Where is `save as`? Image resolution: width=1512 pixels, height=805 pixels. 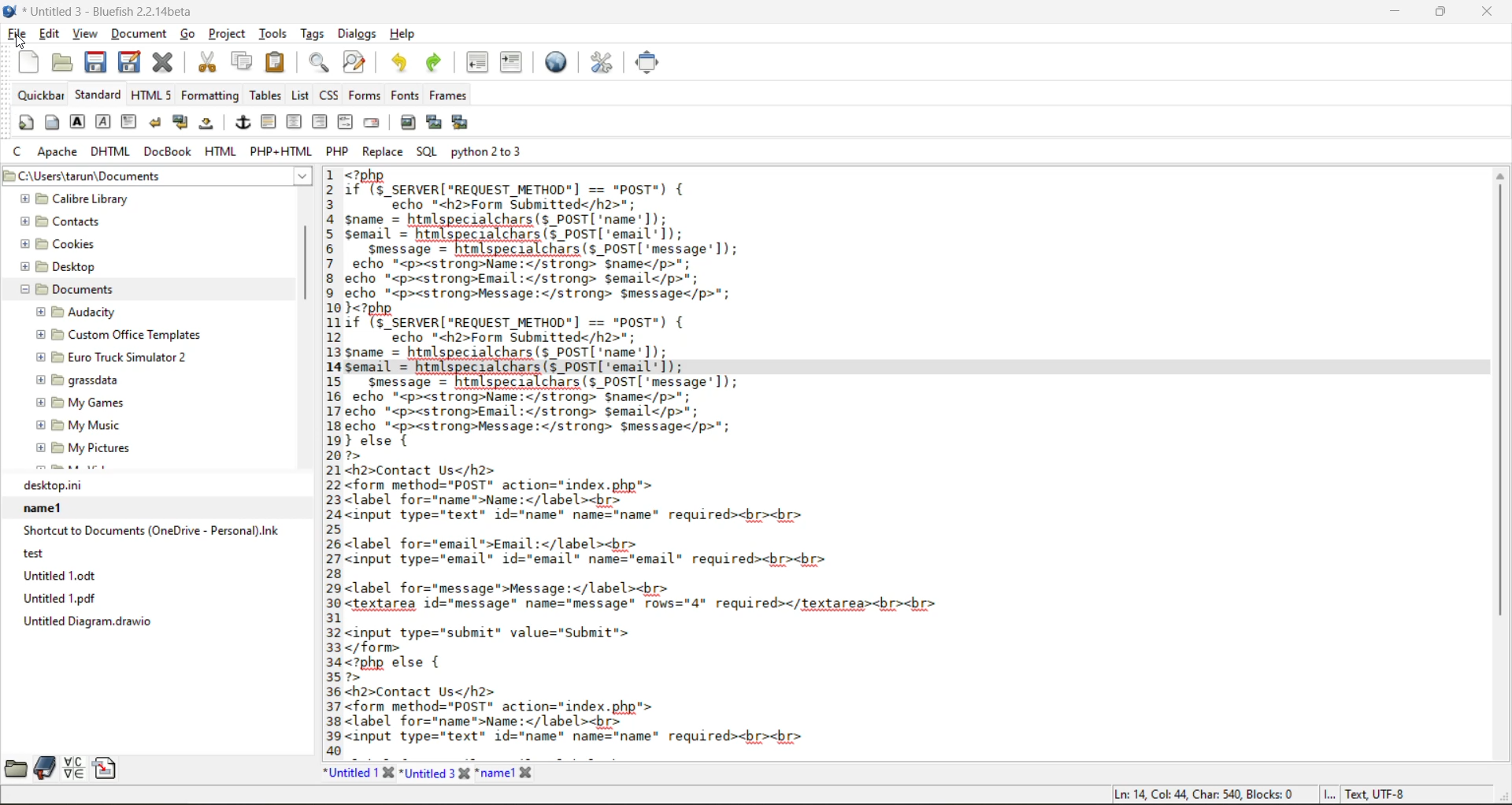 save as is located at coordinates (133, 62).